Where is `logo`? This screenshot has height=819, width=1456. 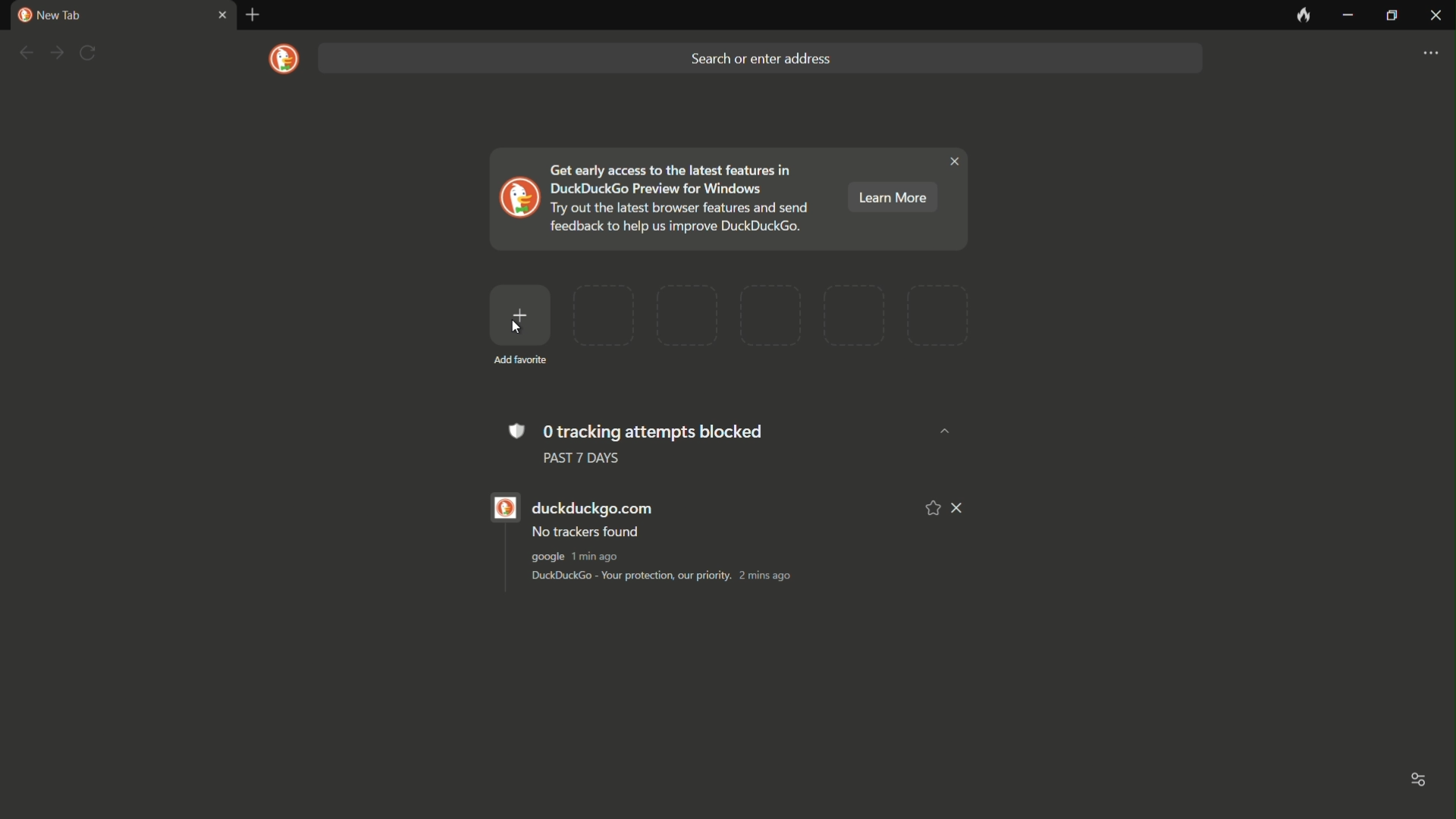 logo is located at coordinates (285, 59).